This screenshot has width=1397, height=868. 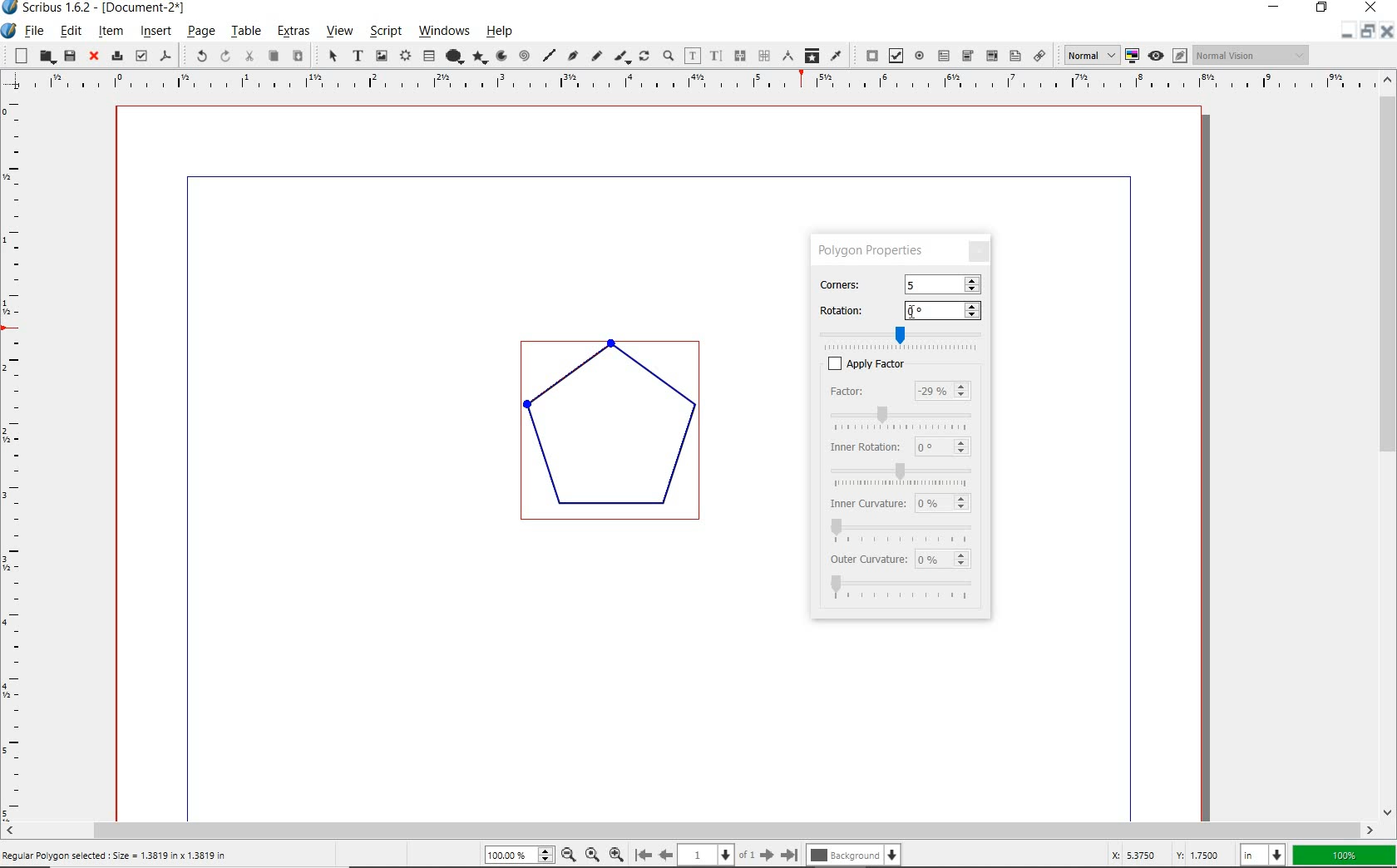 What do you see at coordinates (763, 55) in the screenshot?
I see `unlink text frames` at bounding box center [763, 55].